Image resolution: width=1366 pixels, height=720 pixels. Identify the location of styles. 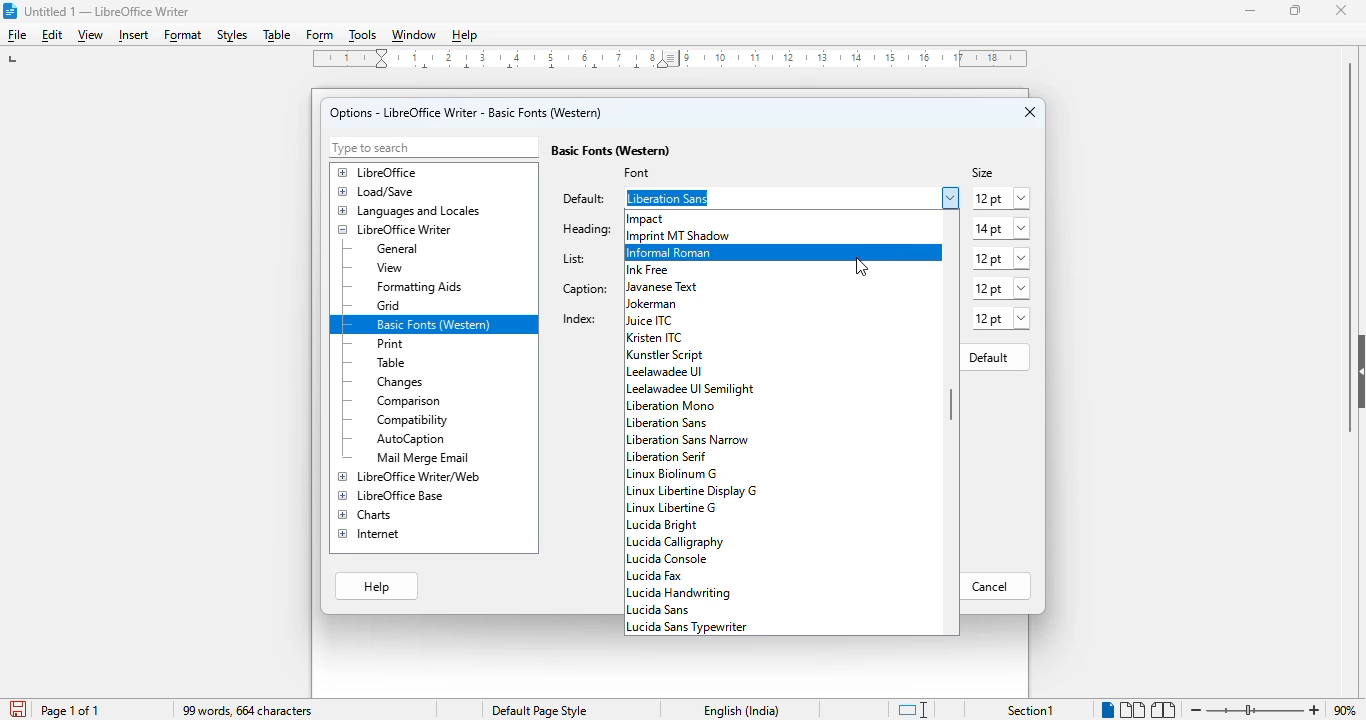
(233, 36).